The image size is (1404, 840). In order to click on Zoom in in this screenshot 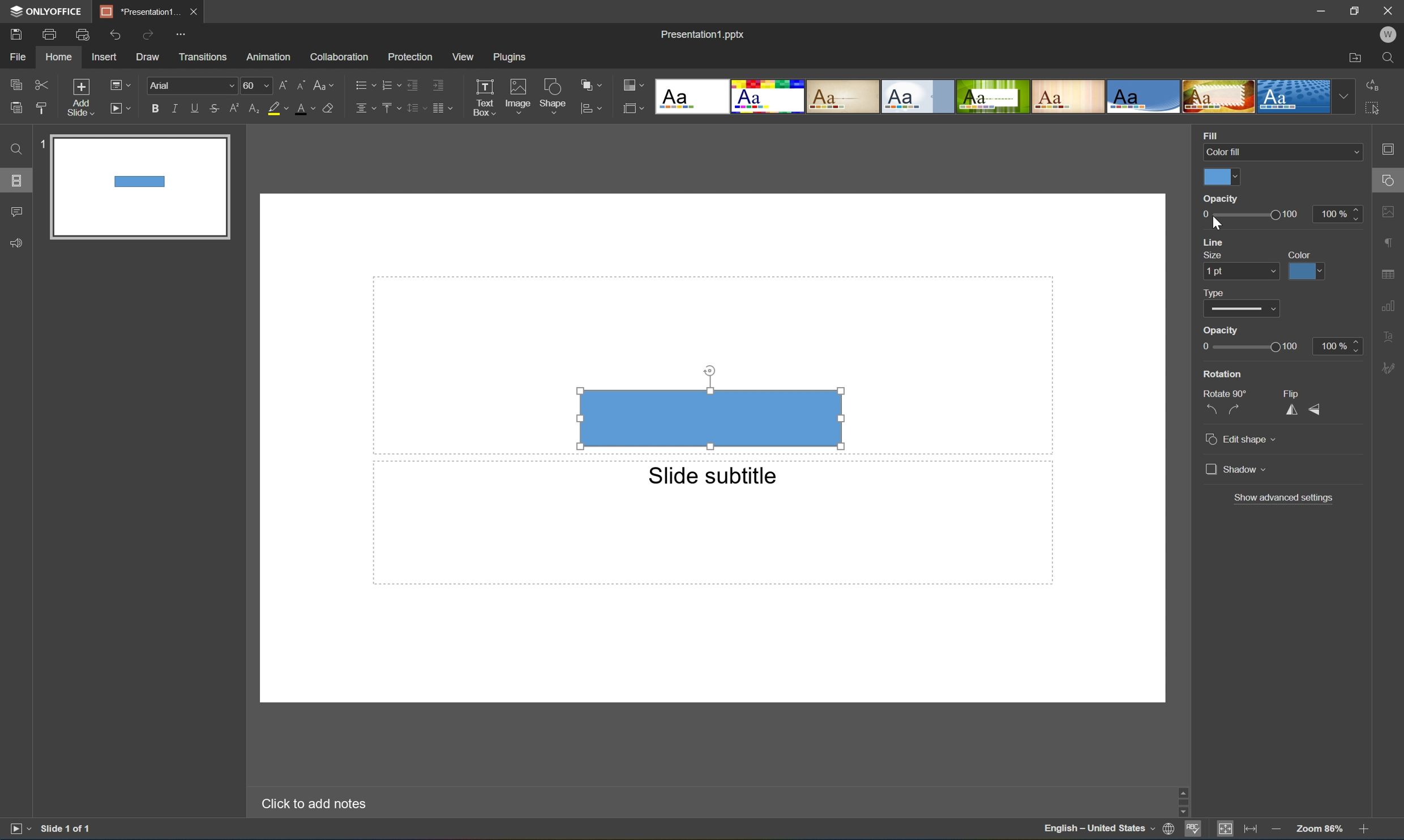, I will do `click(1363, 830)`.